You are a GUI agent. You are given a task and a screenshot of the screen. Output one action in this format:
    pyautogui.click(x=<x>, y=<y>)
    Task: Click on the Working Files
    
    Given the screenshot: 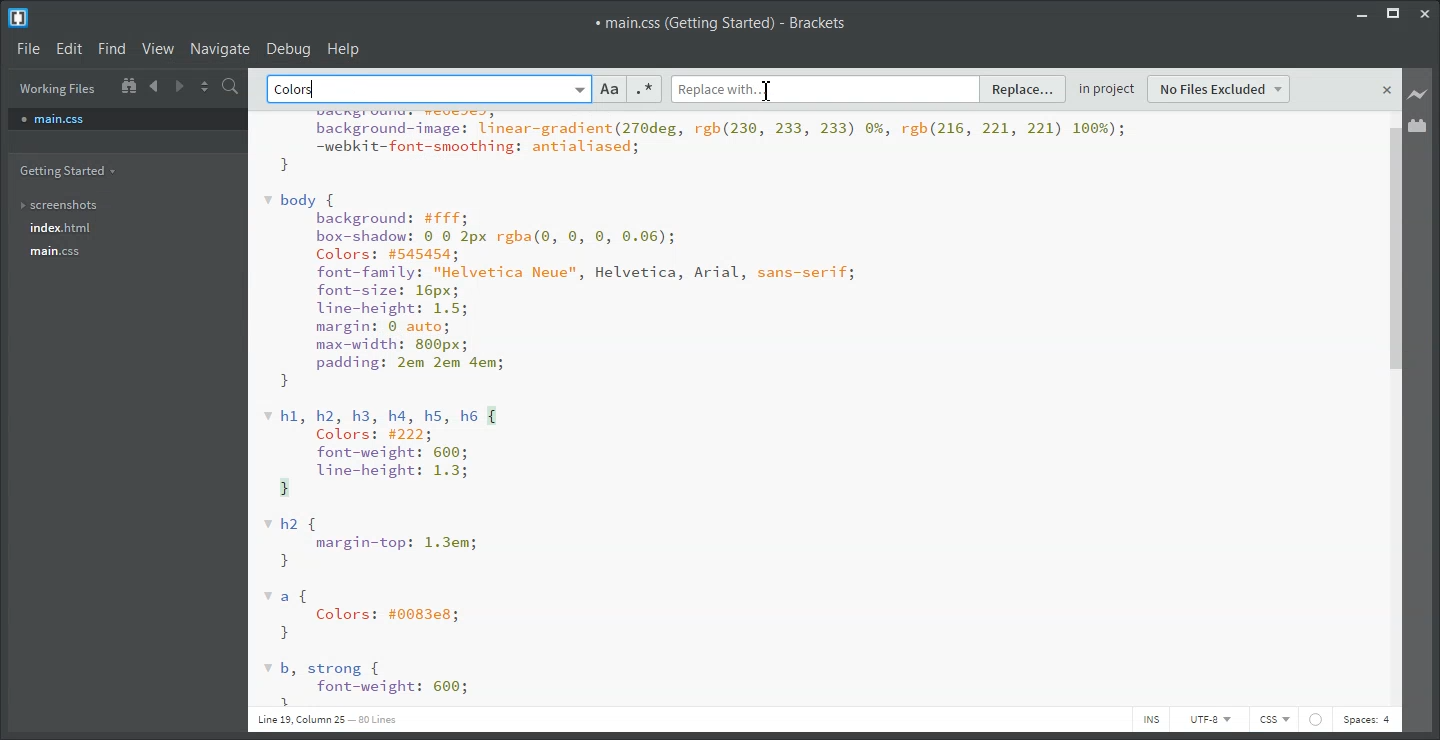 What is the action you would take?
    pyautogui.click(x=58, y=89)
    